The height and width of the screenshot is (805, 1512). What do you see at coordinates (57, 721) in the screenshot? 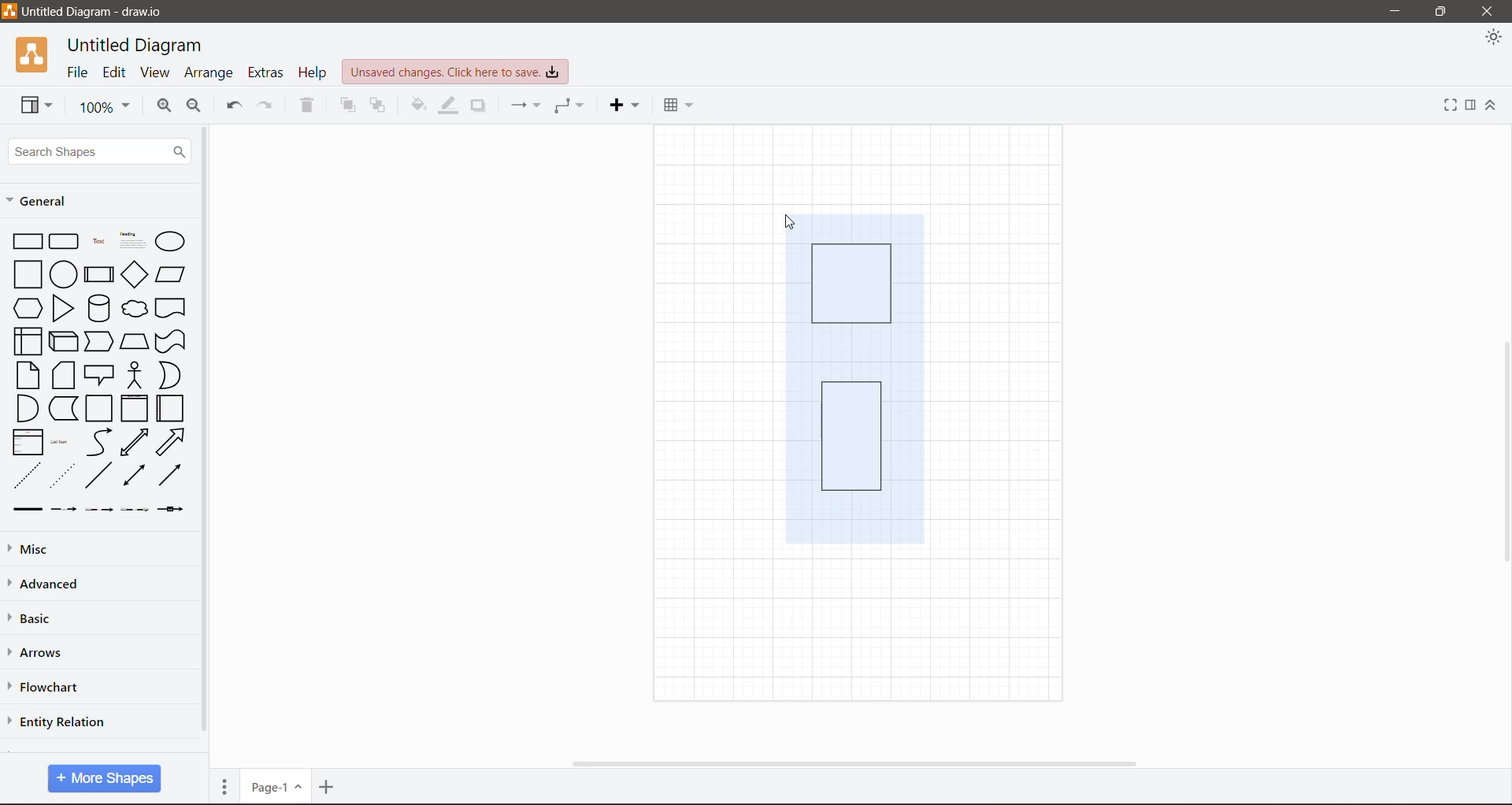
I see `Entity Relation` at bounding box center [57, 721].